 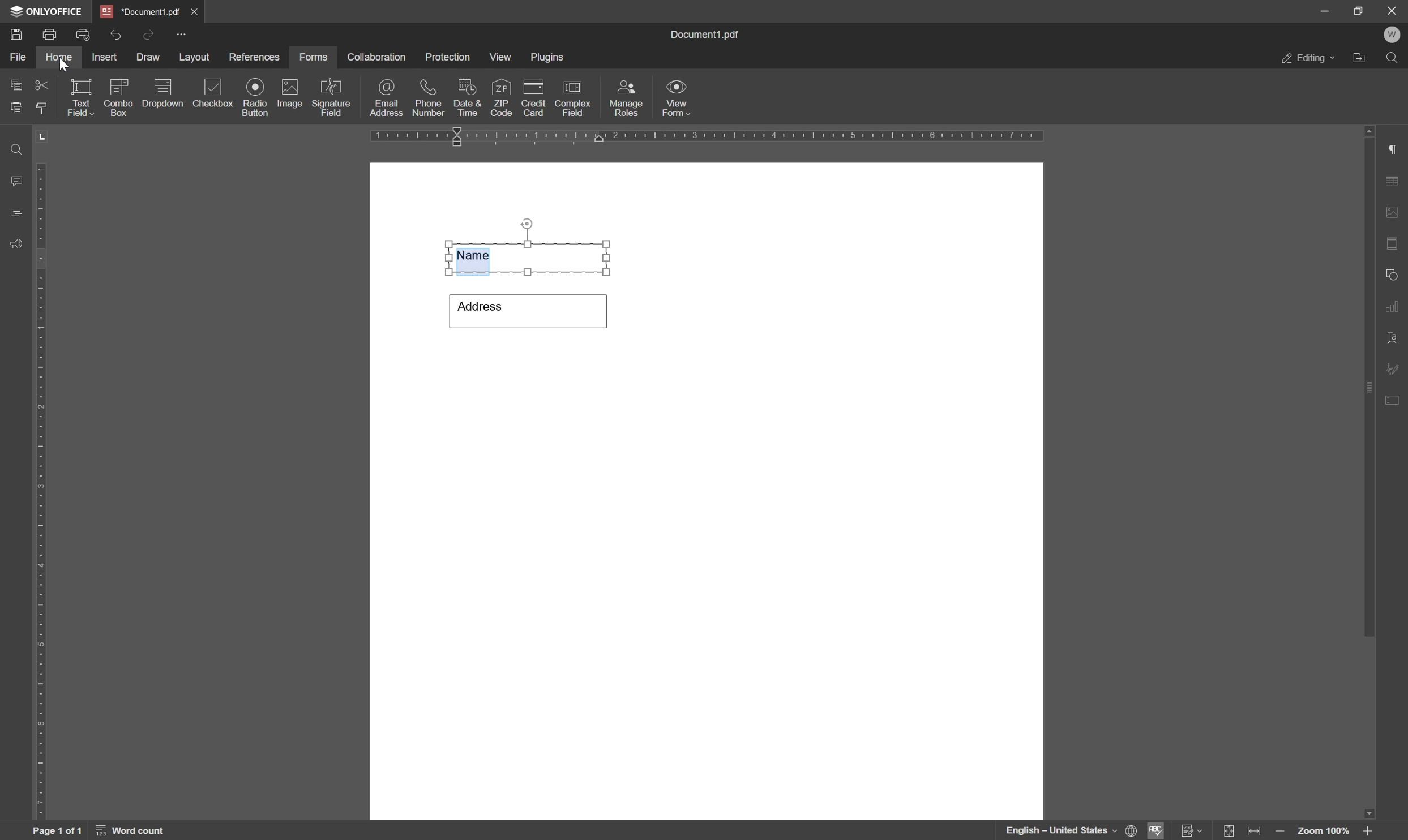 I want to click on close, so click(x=1392, y=10).